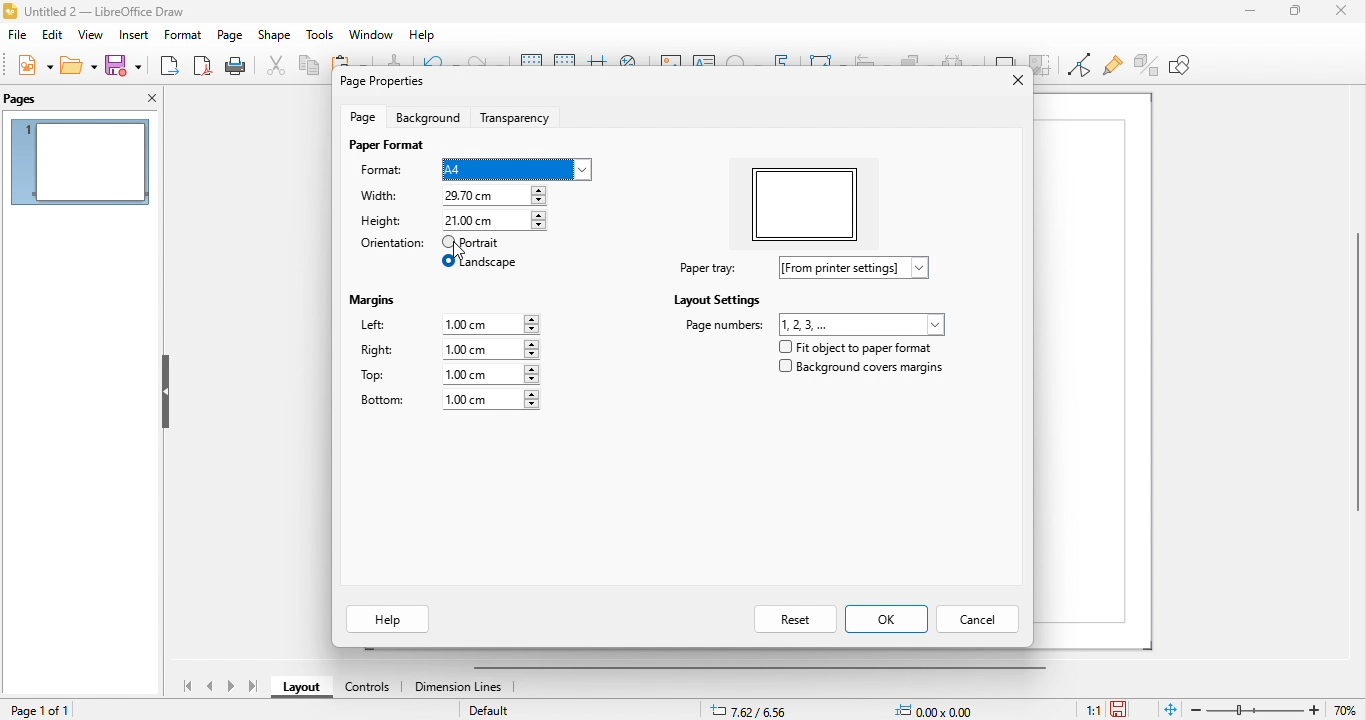 The height and width of the screenshot is (720, 1366). I want to click on background, so click(428, 119).